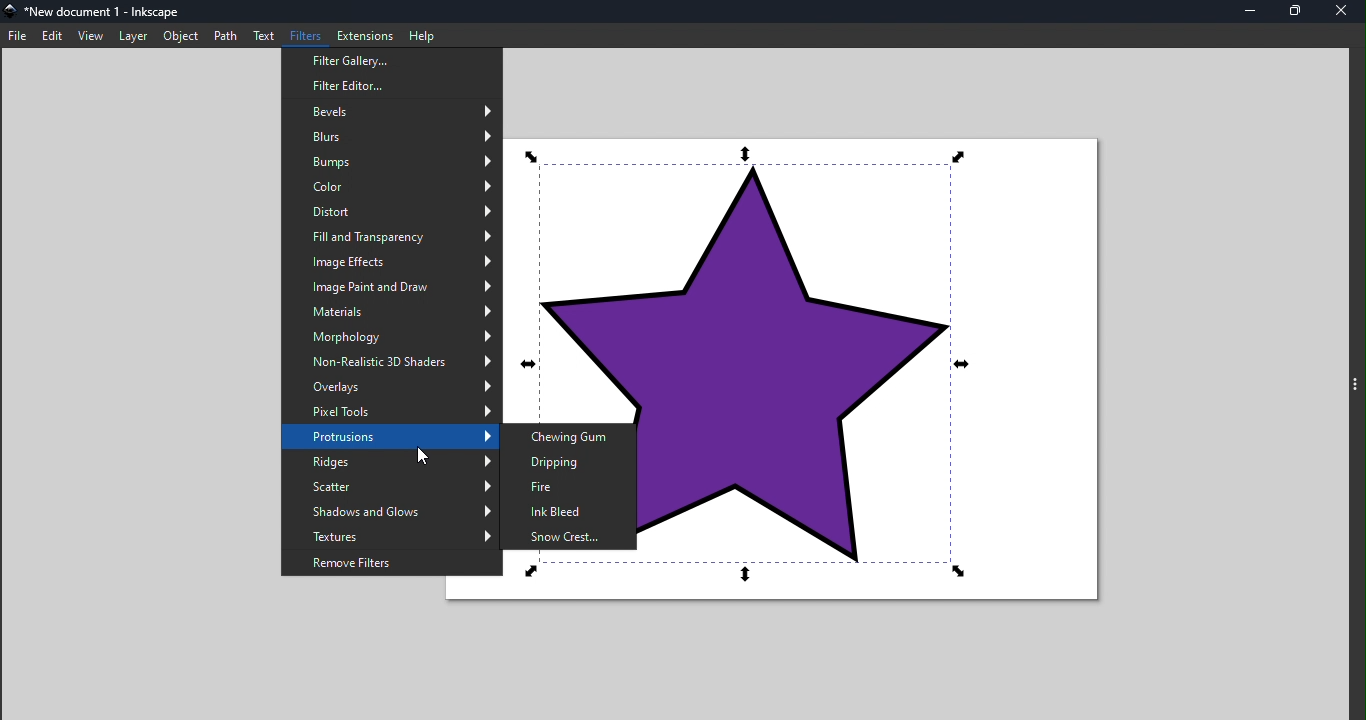  What do you see at coordinates (52, 35) in the screenshot?
I see `Edit` at bounding box center [52, 35].